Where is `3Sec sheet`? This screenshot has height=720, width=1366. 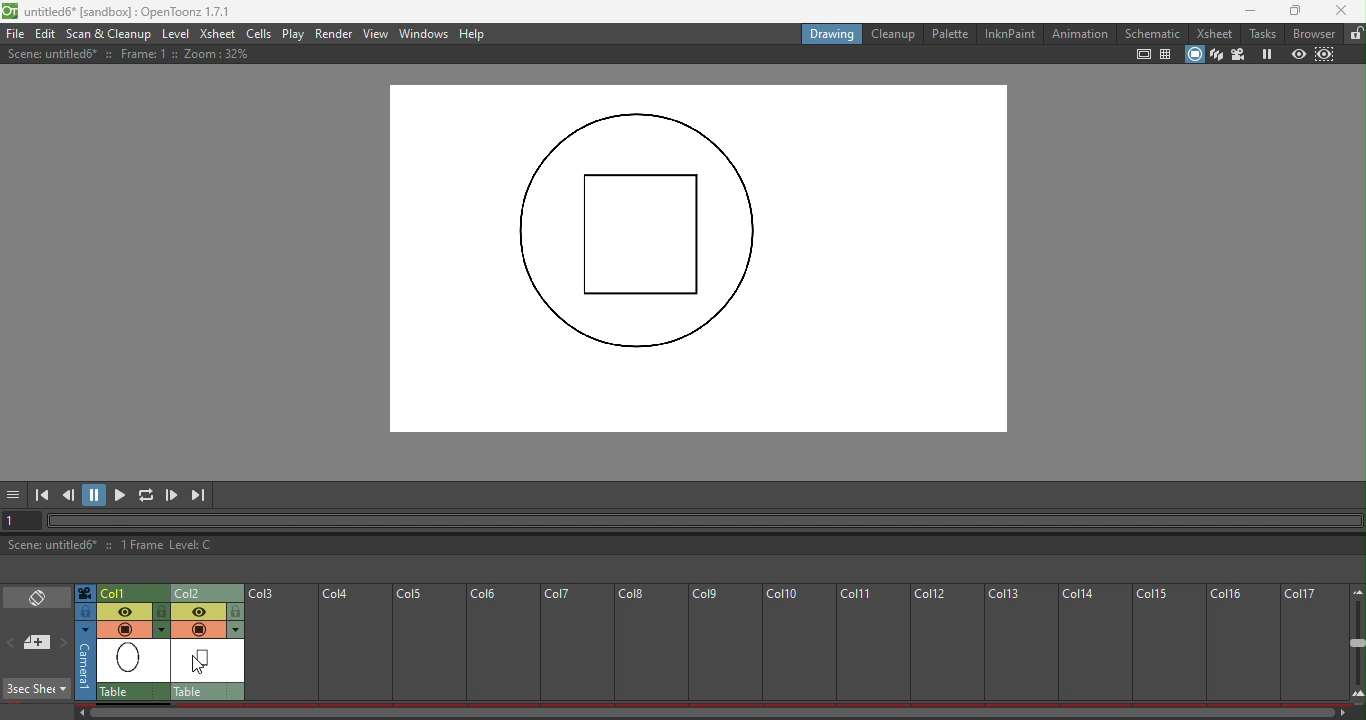 3Sec sheet is located at coordinates (38, 689).